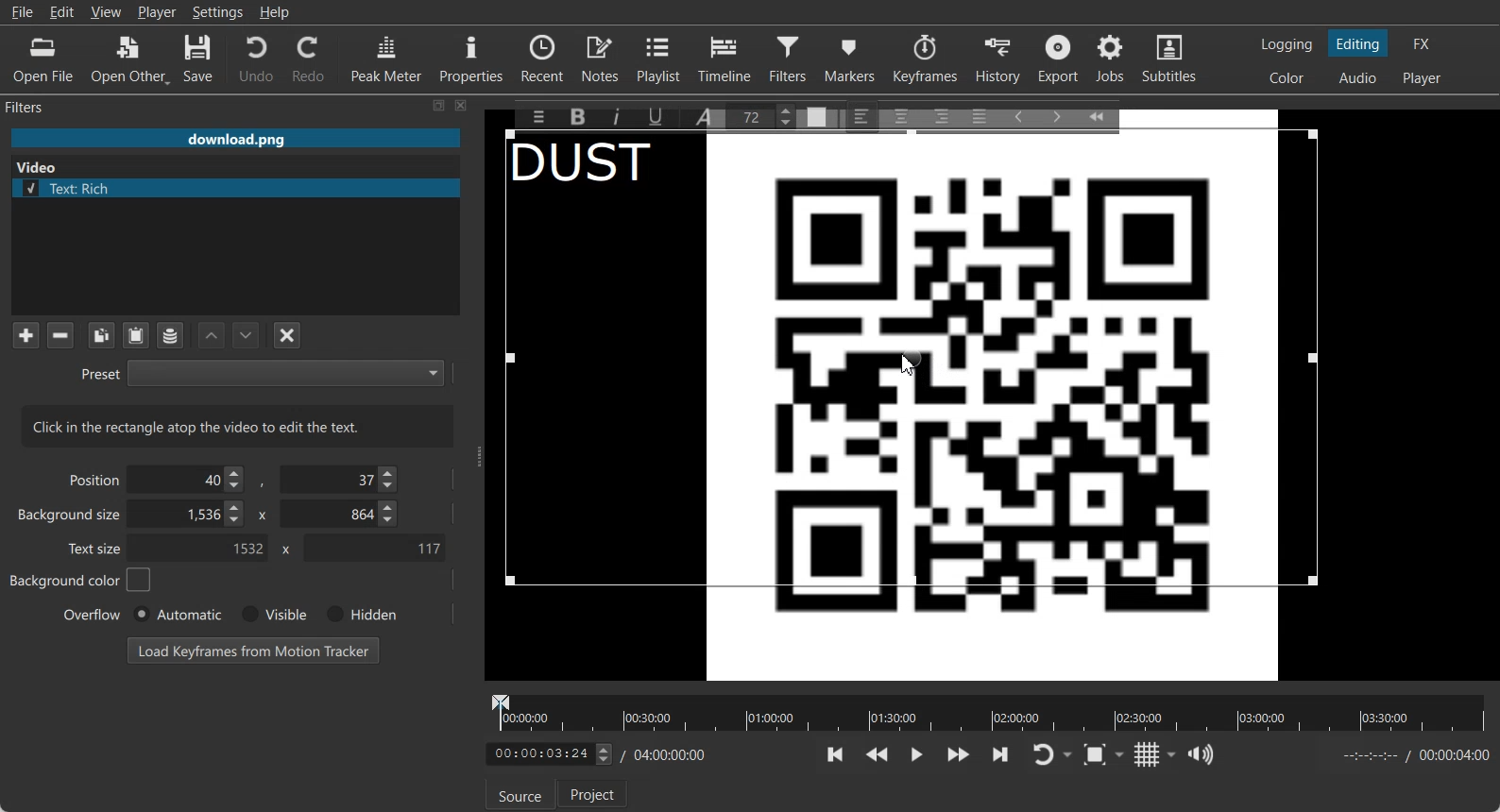 This screenshot has height=812, width=1500. What do you see at coordinates (725, 58) in the screenshot?
I see `Timeline` at bounding box center [725, 58].